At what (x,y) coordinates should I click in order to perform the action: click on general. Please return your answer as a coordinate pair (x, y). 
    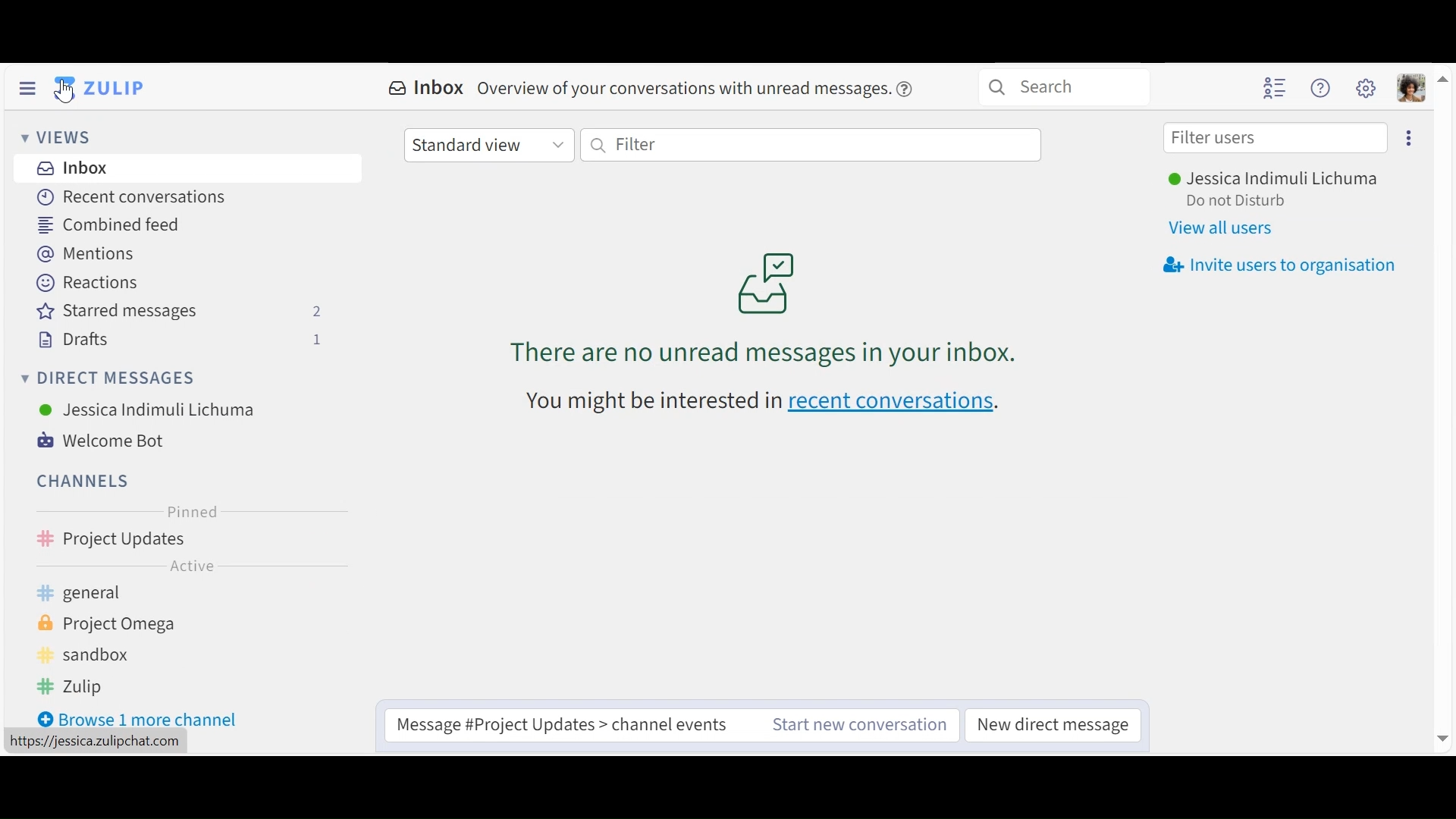
    Looking at the image, I should click on (151, 594).